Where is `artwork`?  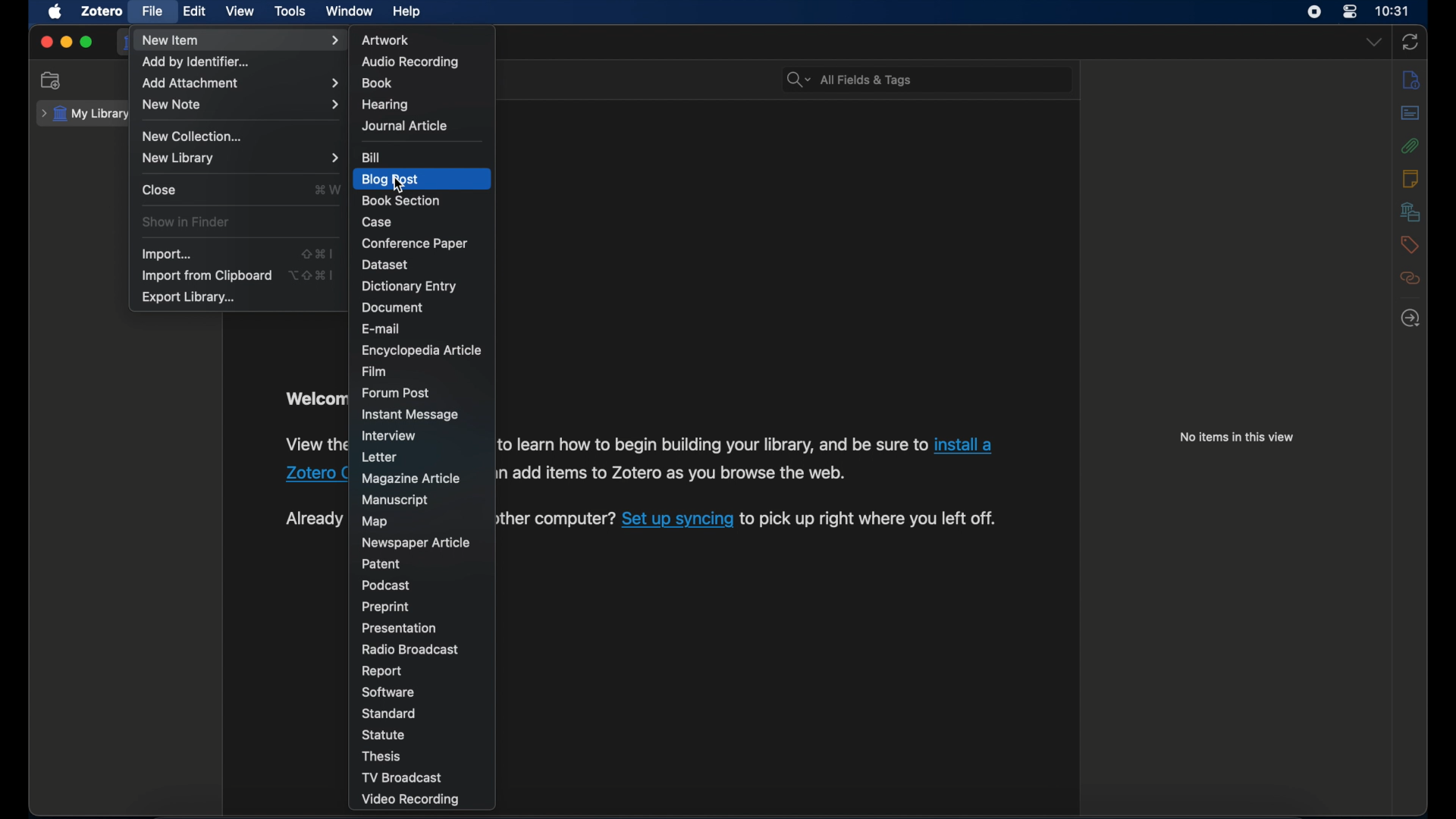 artwork is located at coordinates (386, 39).